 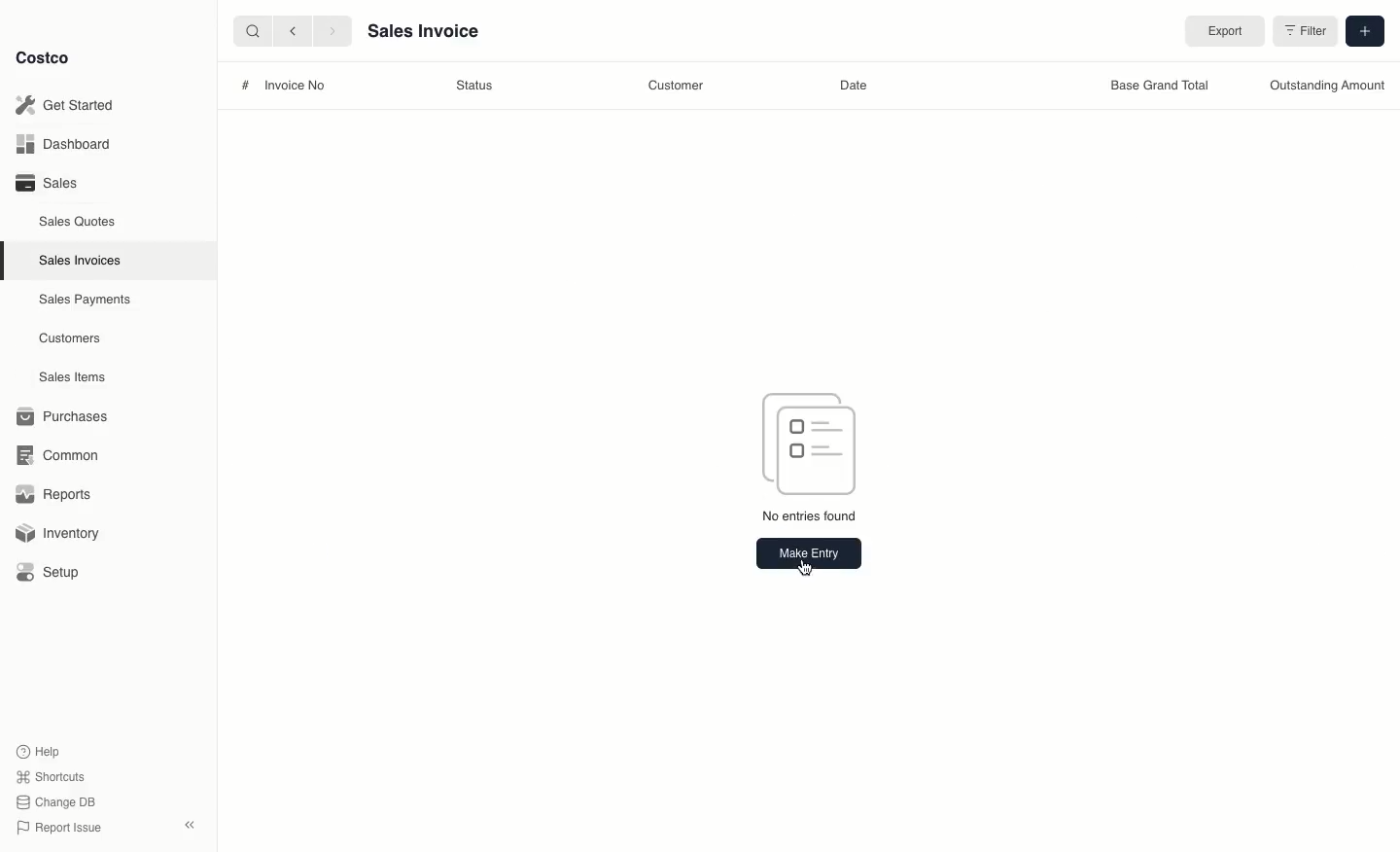 I want to click on Add, so click(x=1363, y=32).